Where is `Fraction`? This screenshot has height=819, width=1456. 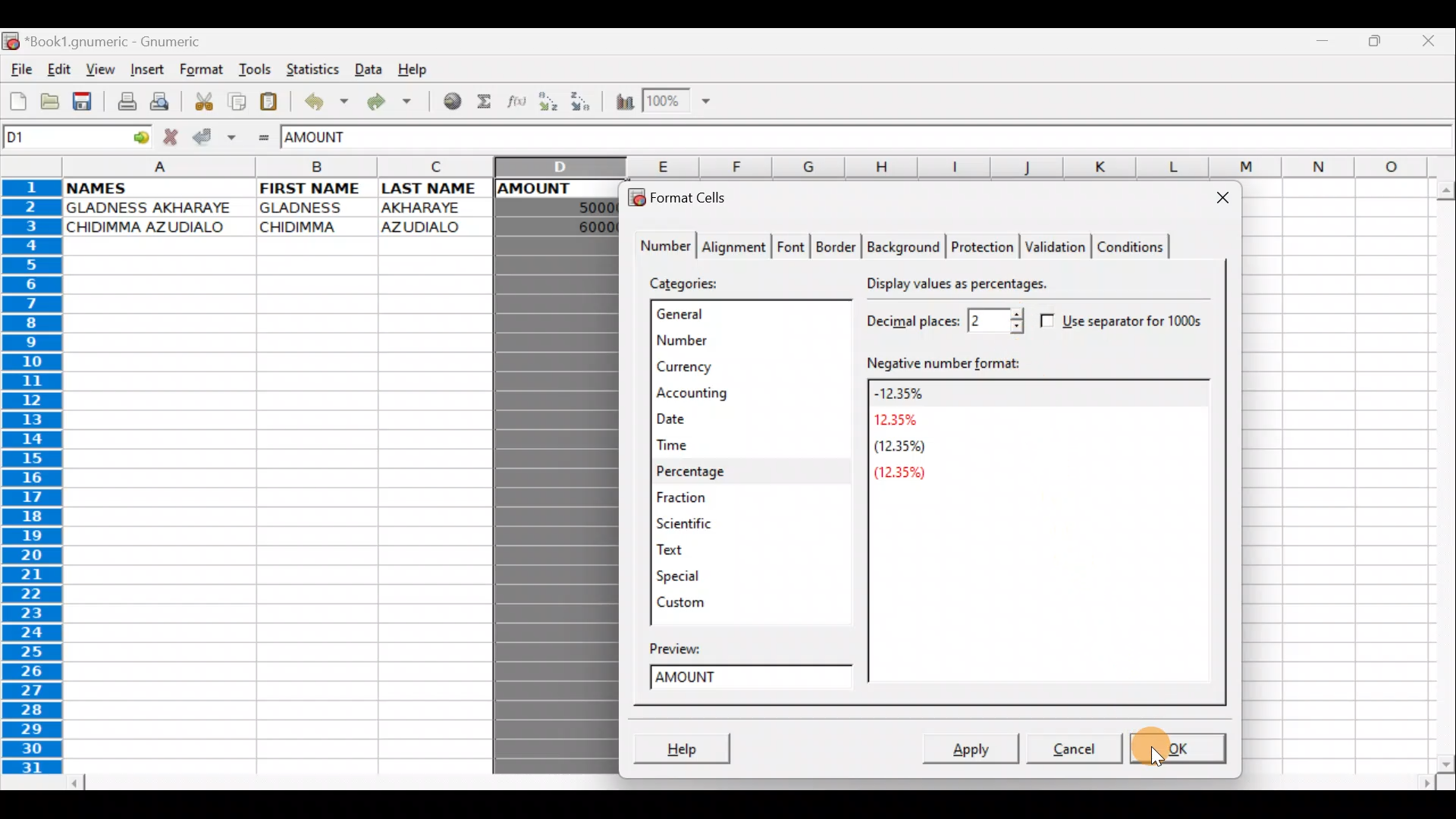
Fraction is located at coordinates (710, 497).